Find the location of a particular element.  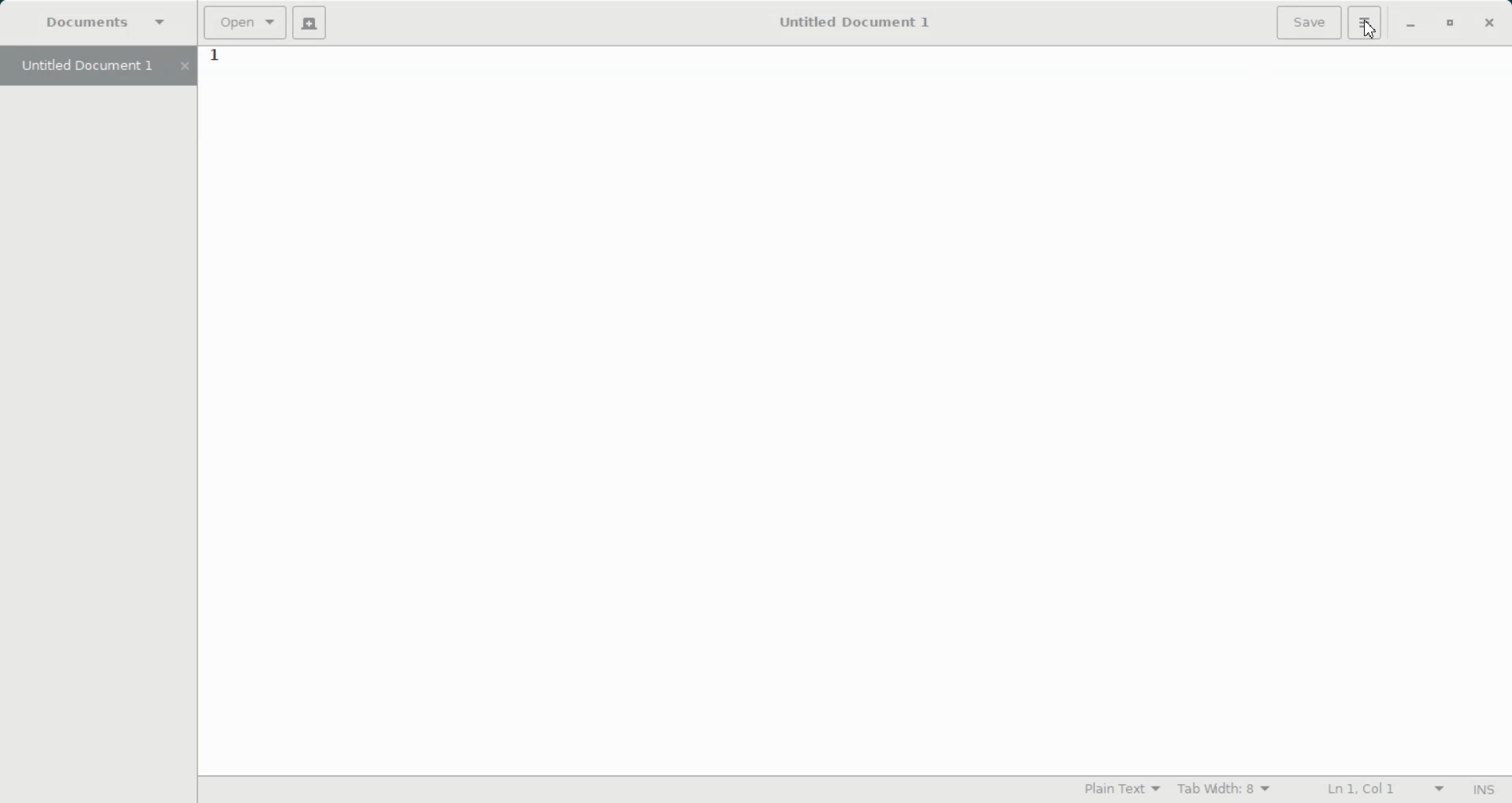

Untitled Document 1  is located at coordinates (96, 66).